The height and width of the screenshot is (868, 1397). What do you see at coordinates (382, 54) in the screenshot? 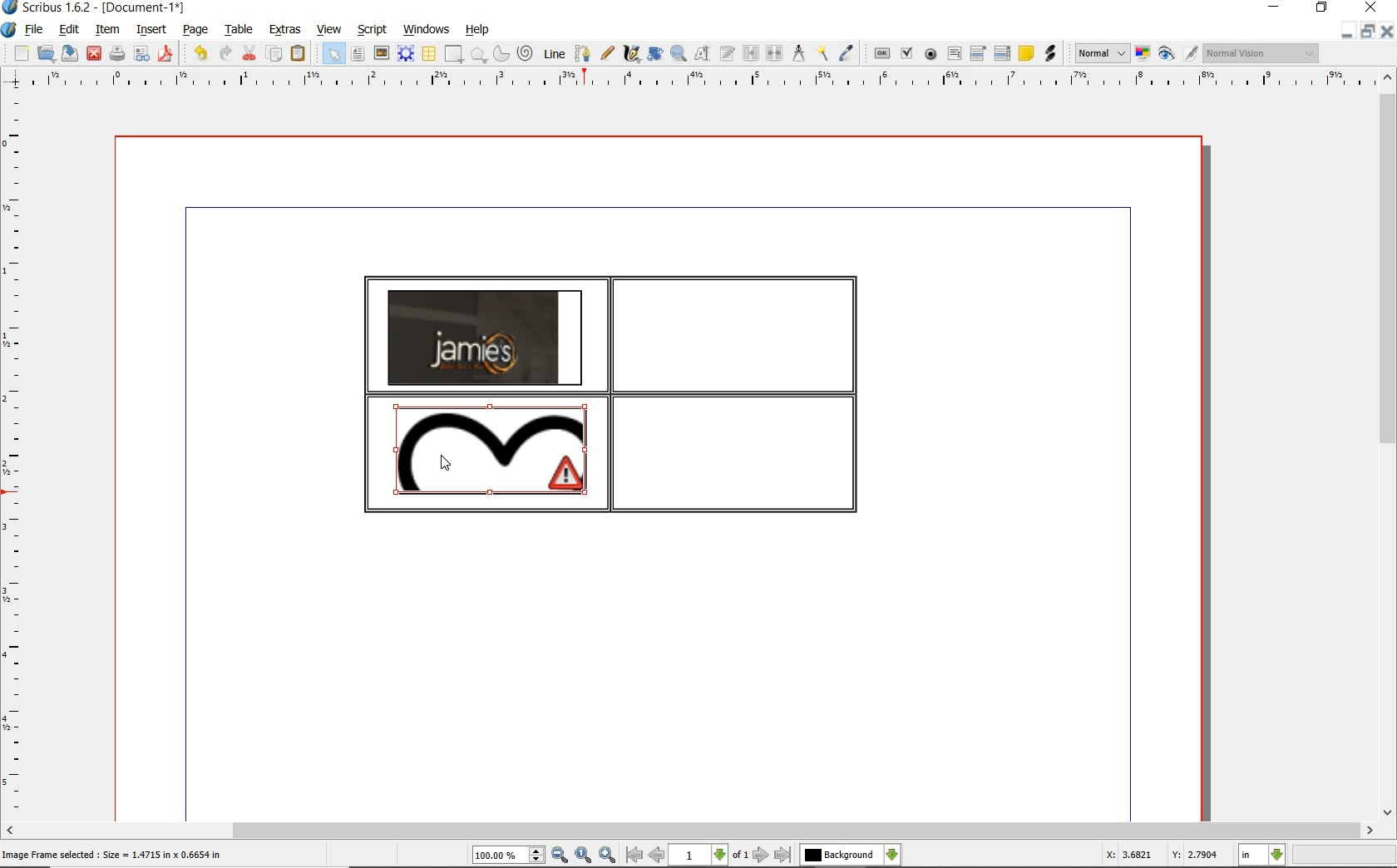
I see `image` at bounding box center [382, 54].